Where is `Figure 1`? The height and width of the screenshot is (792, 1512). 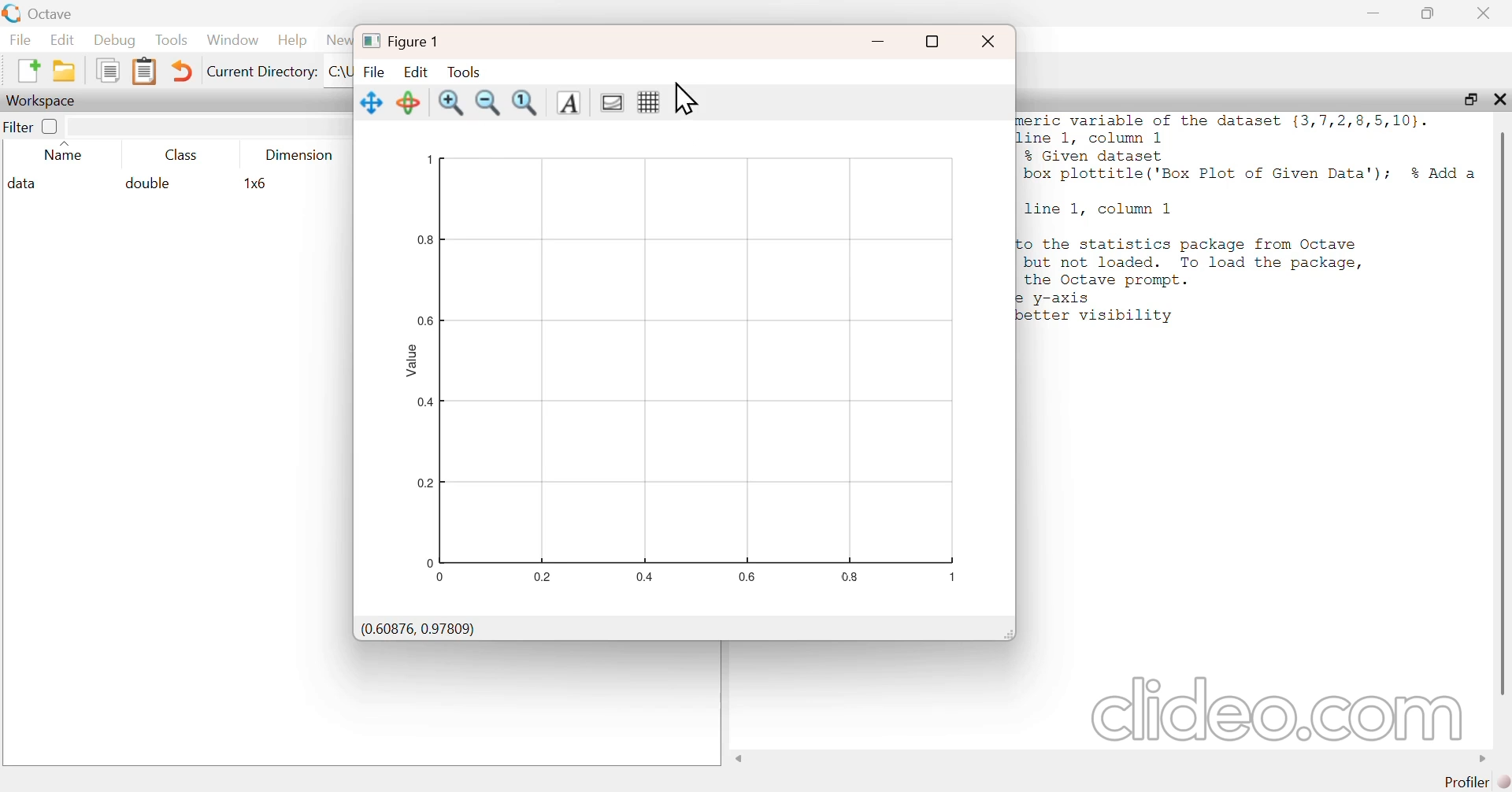 Figure 1 is located at coordinates (407, 39).